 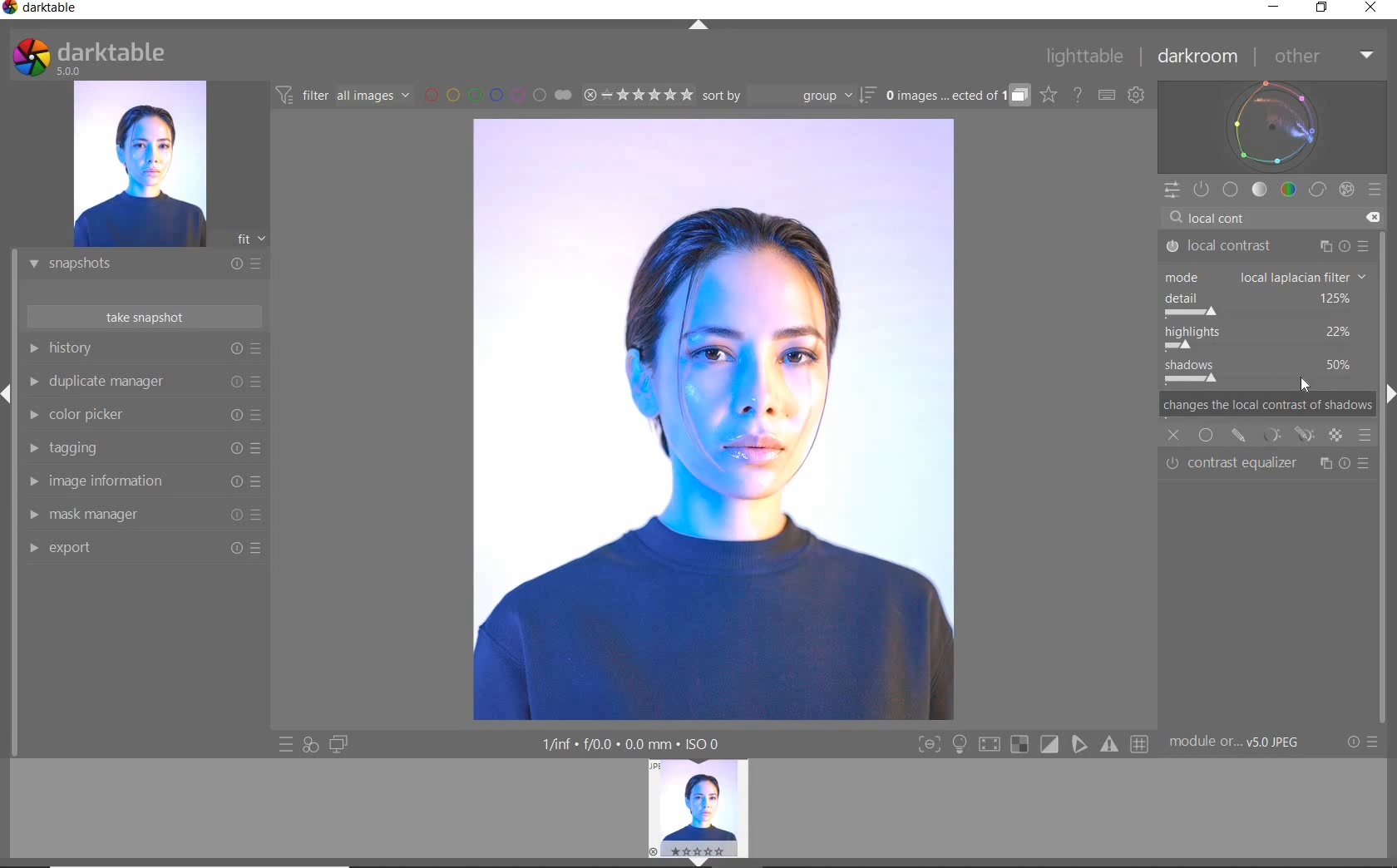 I want to click on HISTORY, so click(x=146, y=352).